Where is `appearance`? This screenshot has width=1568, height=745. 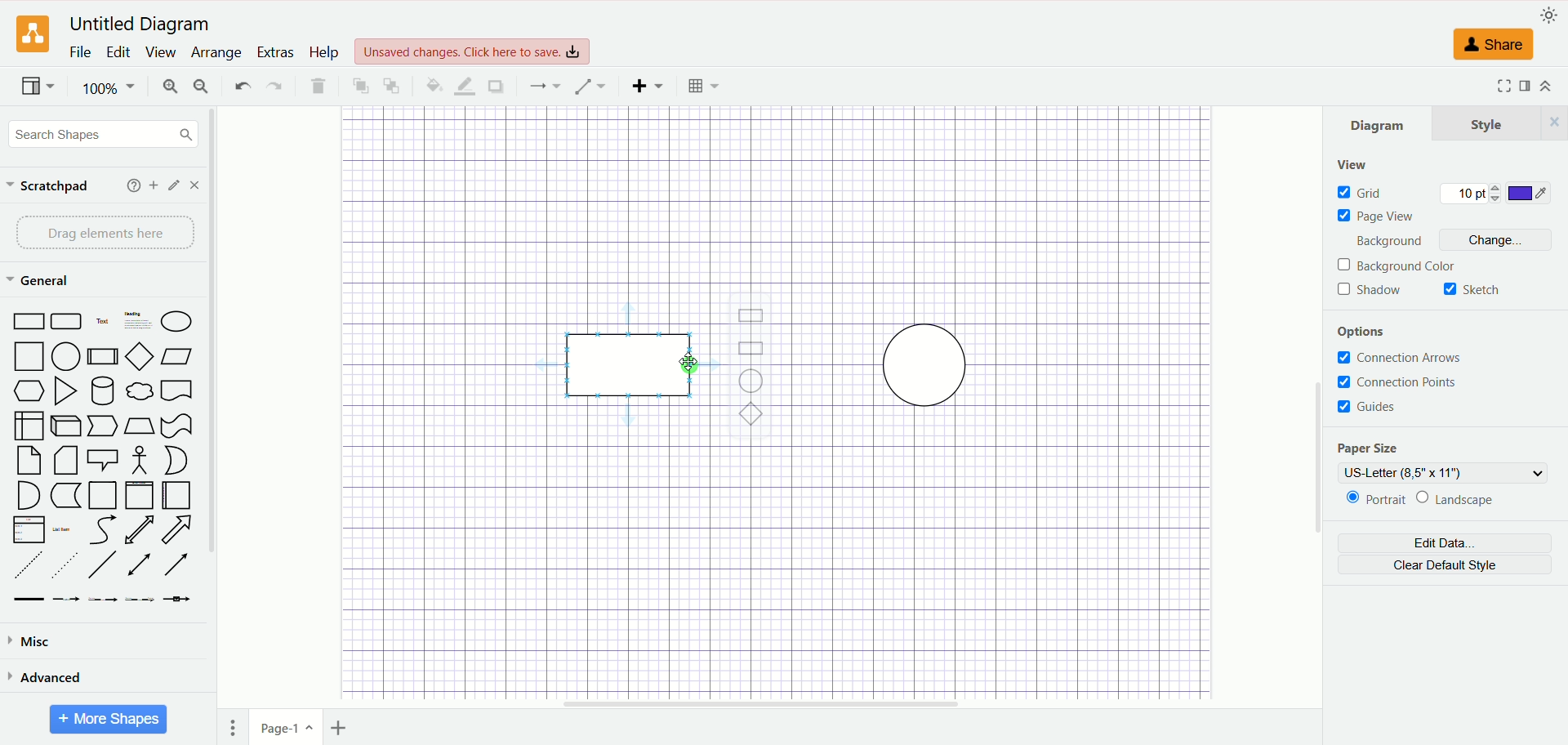
appearance is located at coordinates (1546, 15).